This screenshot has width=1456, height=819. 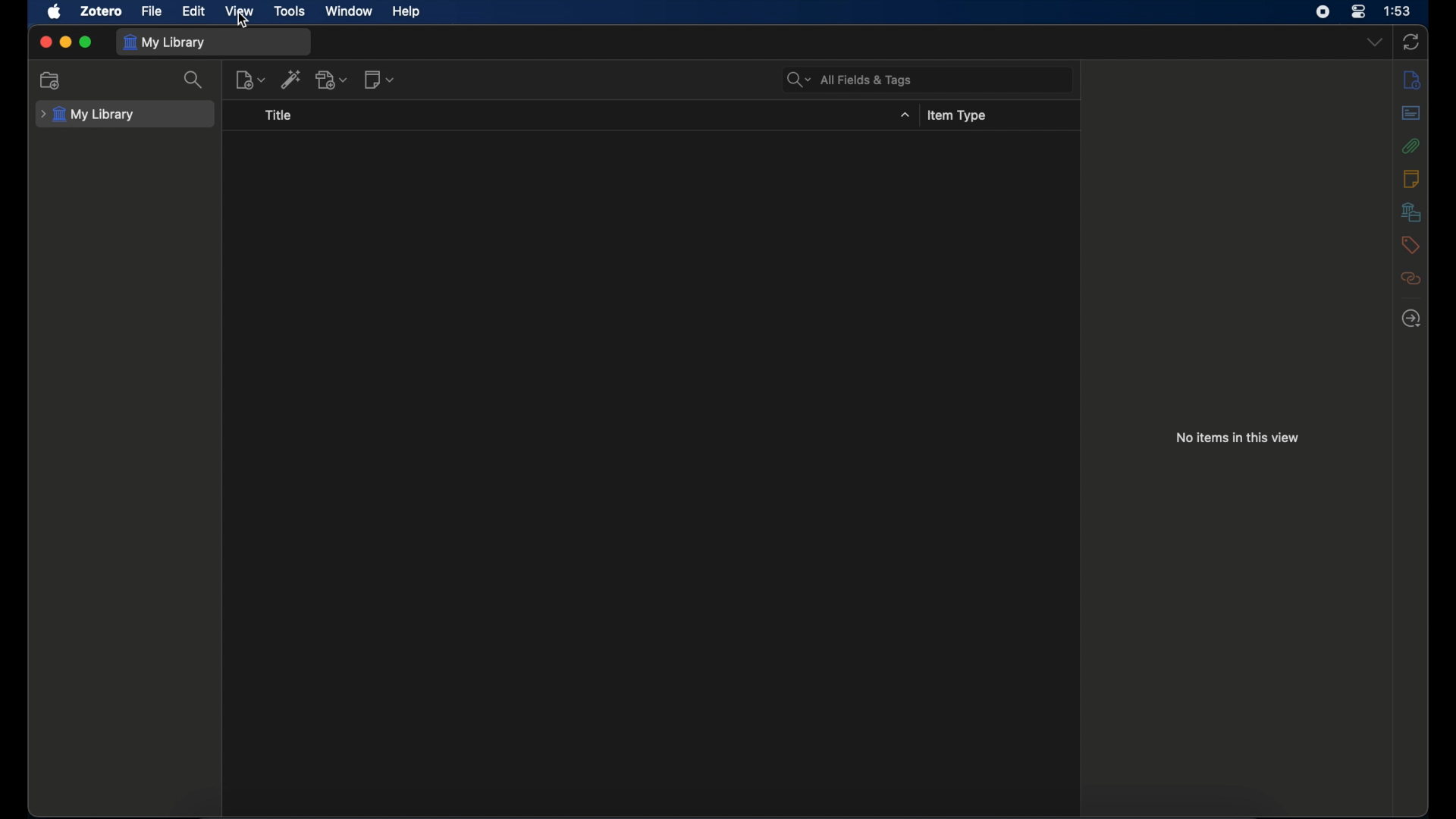 I want to click on zotero, so click(x=102, y=11).